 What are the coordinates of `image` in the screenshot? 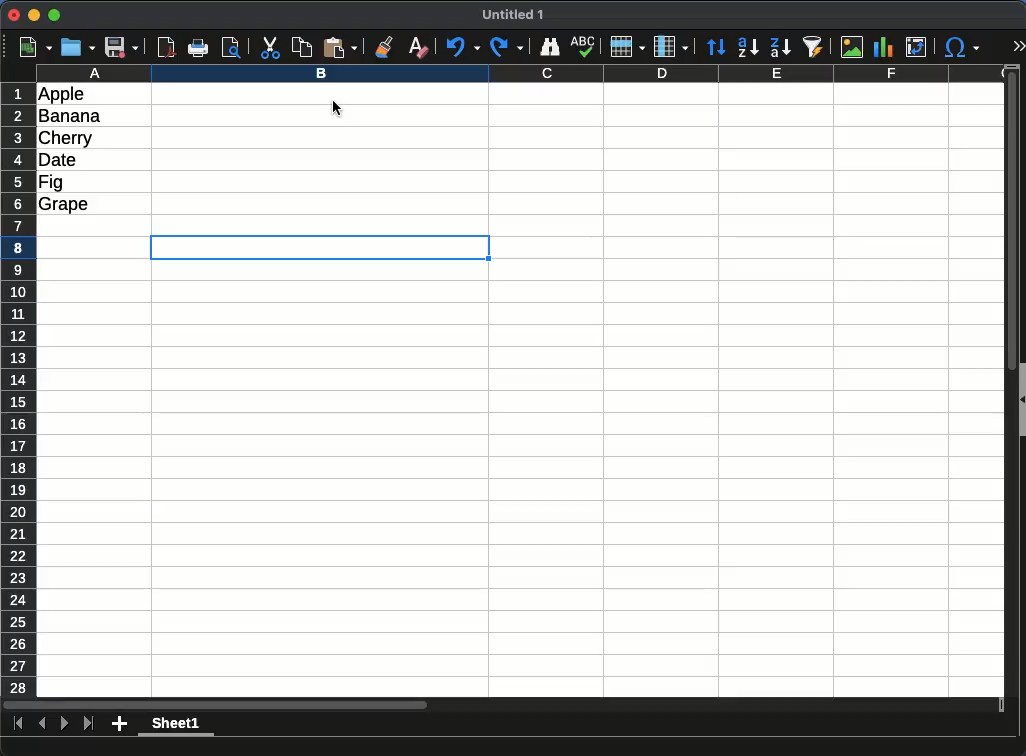 It's located at (852, 47).